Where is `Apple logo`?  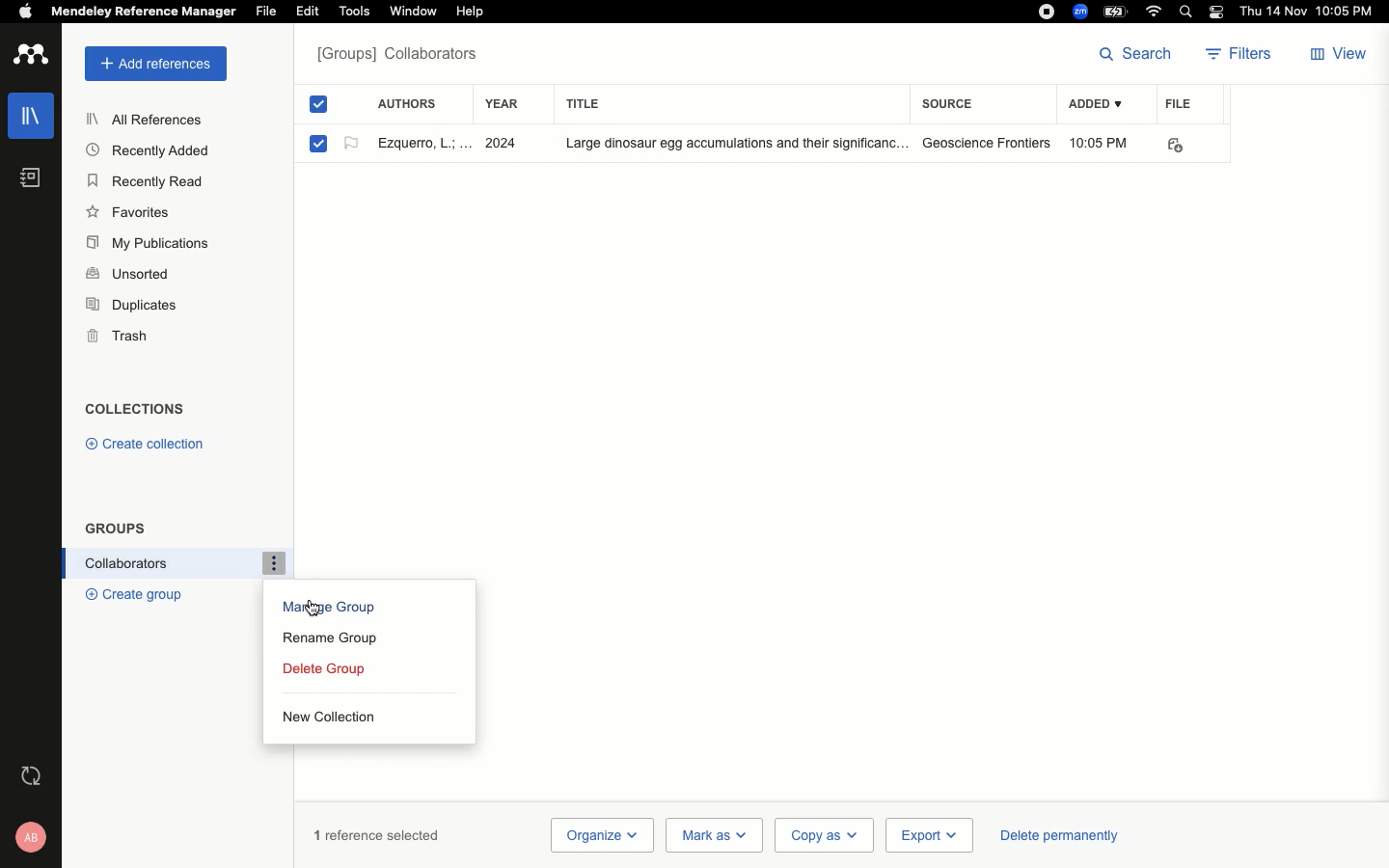
Apple logo is located at coordinates (25, 10).